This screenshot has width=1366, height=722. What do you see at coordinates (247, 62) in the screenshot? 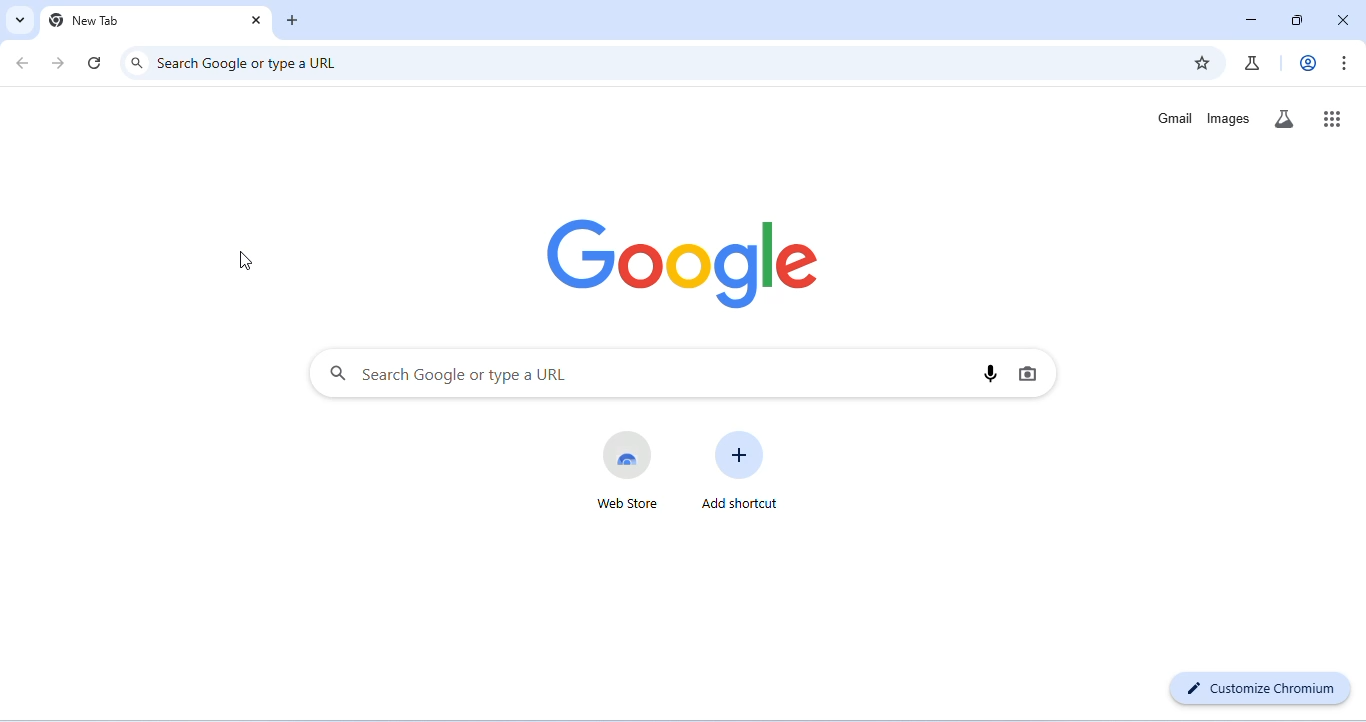
I see `search google or type a URL` at bounding box center [247, 62].